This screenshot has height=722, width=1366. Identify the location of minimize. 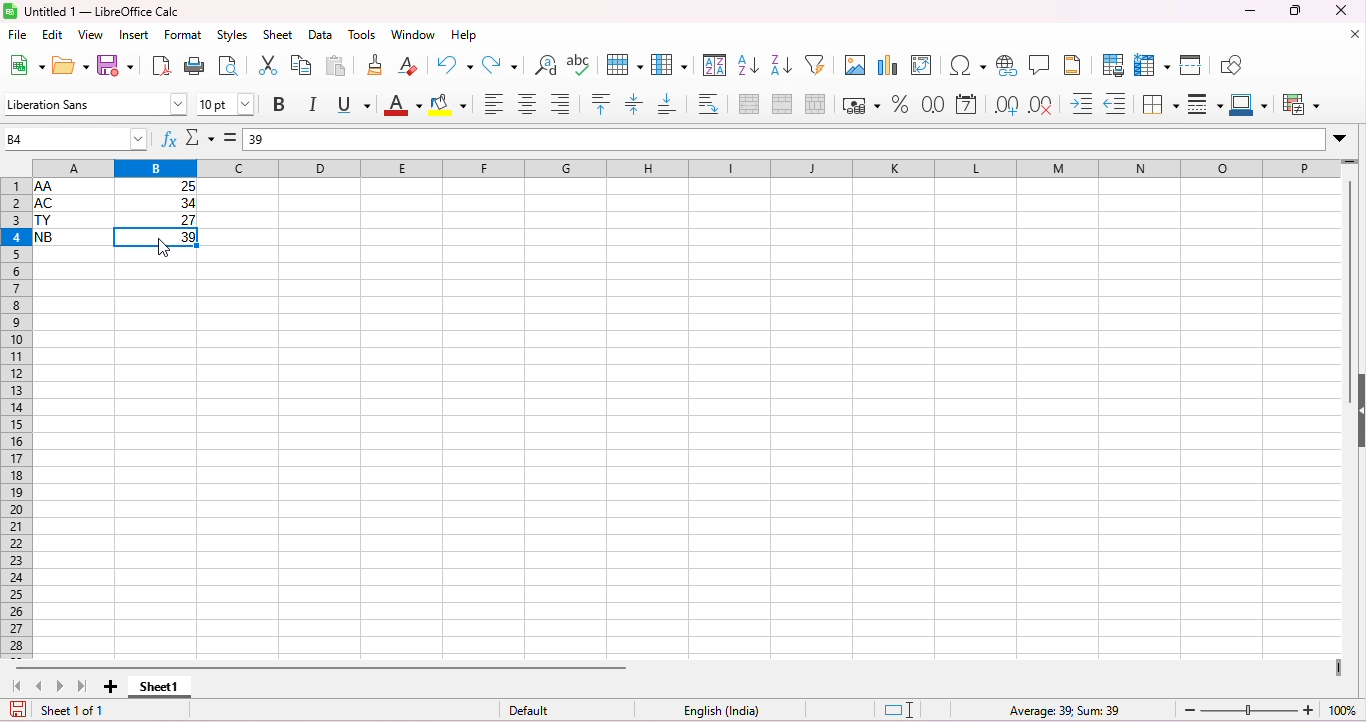
(1249, 12).